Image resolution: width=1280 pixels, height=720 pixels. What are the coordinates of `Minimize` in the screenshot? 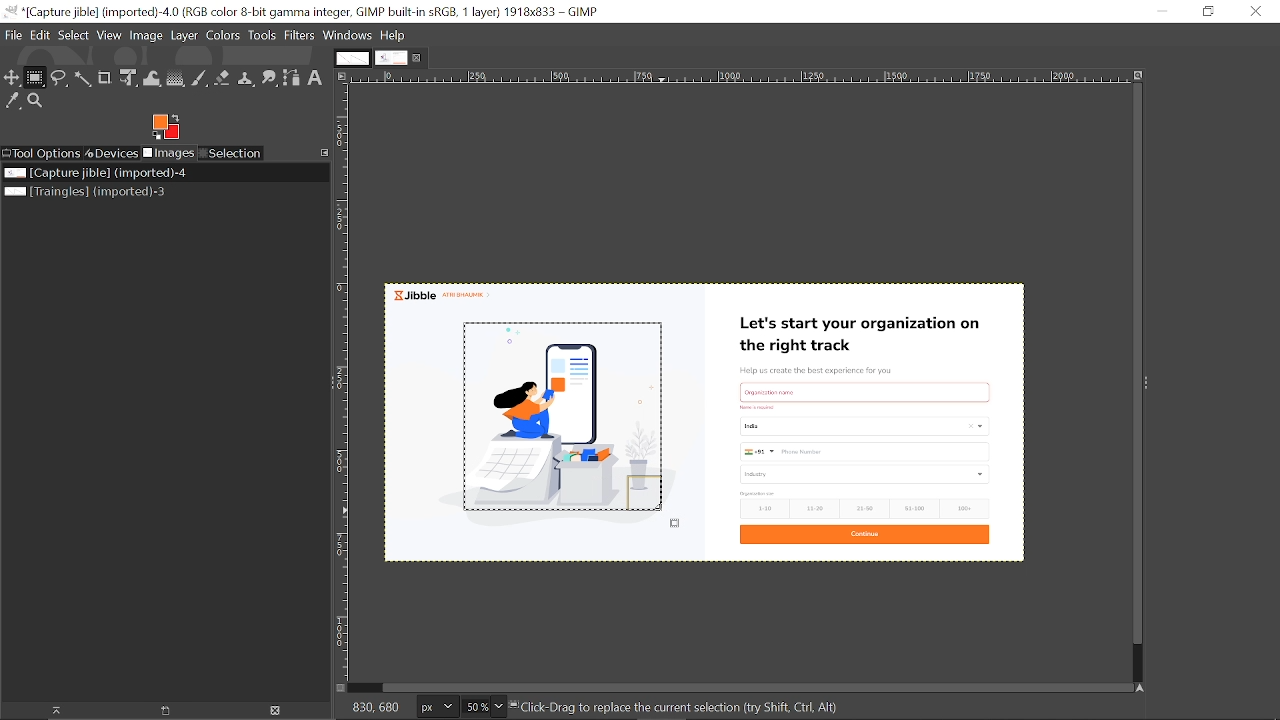 It's located at (1163, 12).